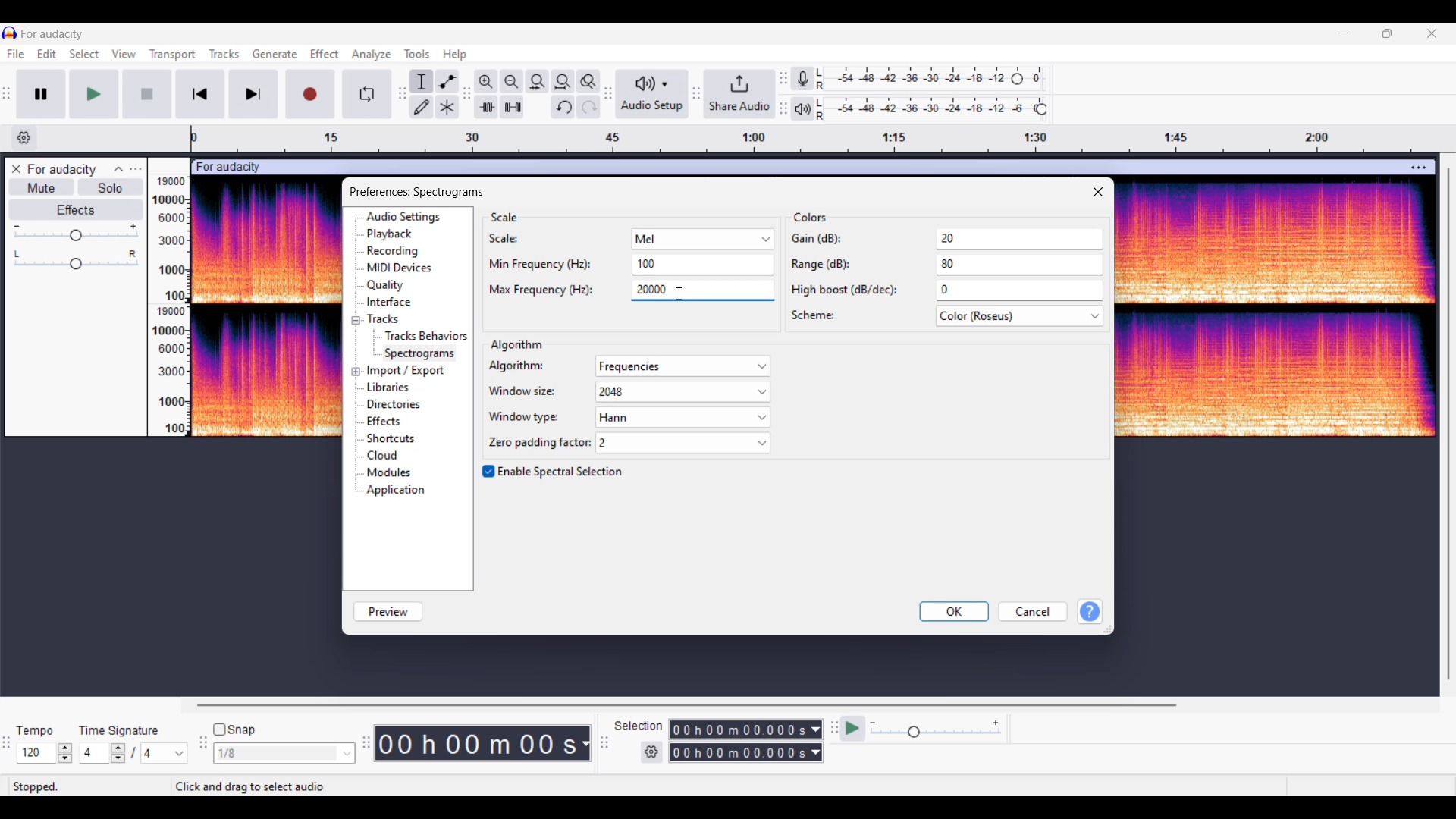 The height and width of the screenshot is (819, 1456). Describe the element at coordinates (62, 169) in the screenshot. I see `Track name` at that location.